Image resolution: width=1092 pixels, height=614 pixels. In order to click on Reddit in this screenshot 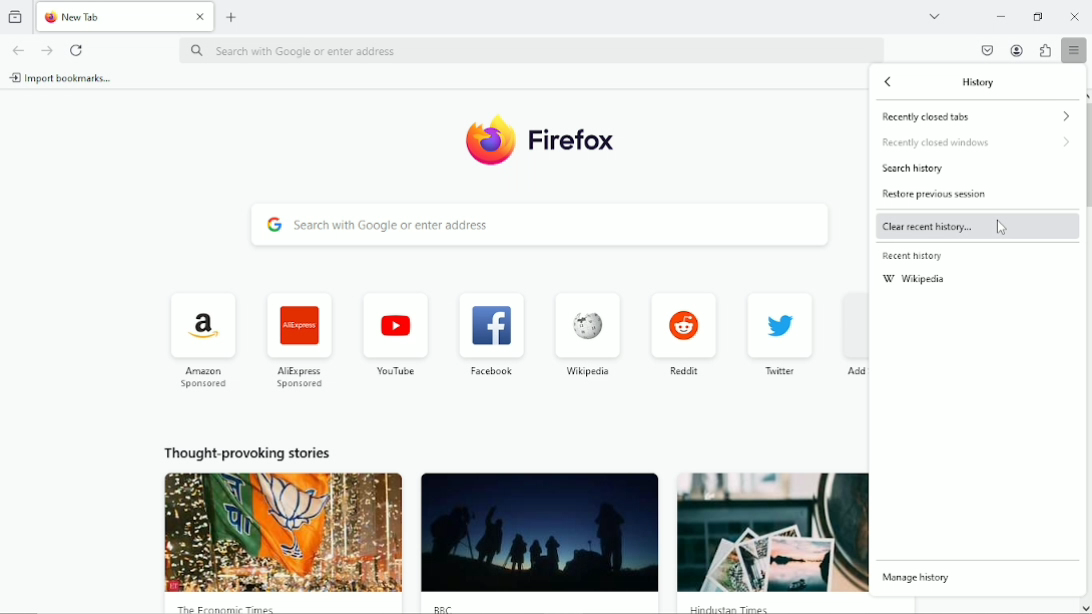, I will do `click(683, 330)`.